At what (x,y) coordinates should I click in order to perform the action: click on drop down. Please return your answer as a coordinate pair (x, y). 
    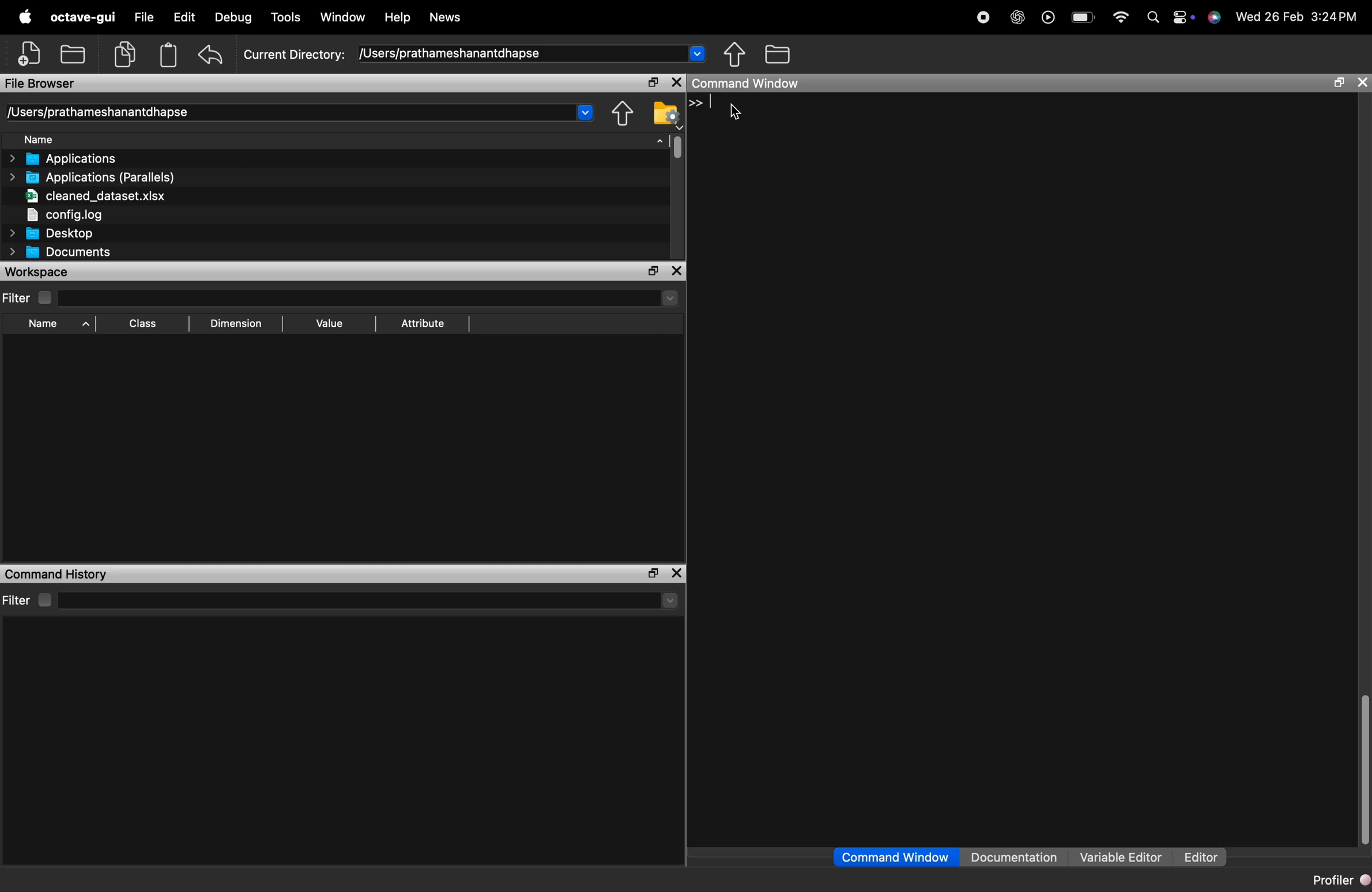
    Looking at the image, I should click on (669, 297).